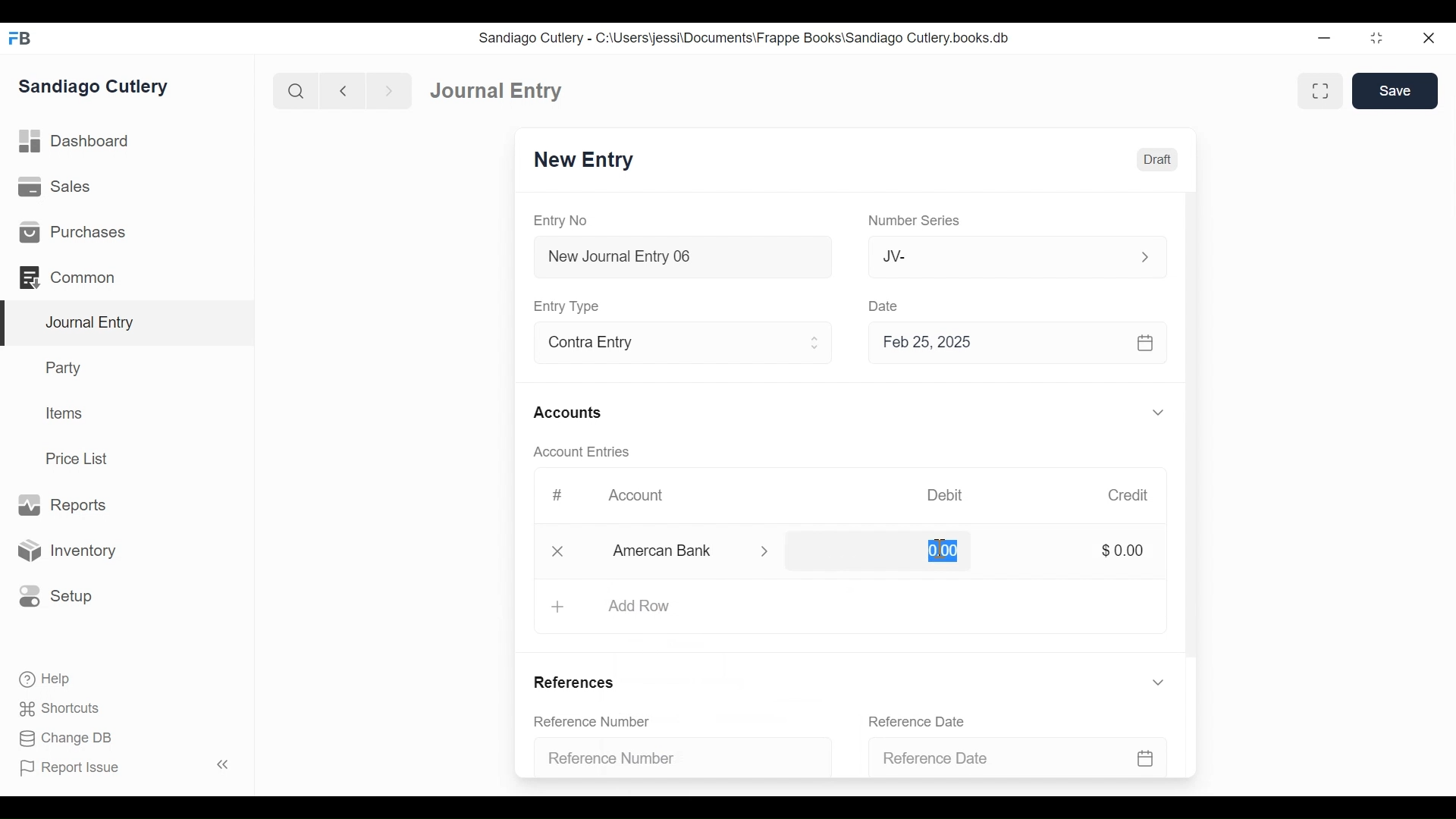 The width and height of the screenshot is (1456, 819). I want to click on Items, so click(65, 413).